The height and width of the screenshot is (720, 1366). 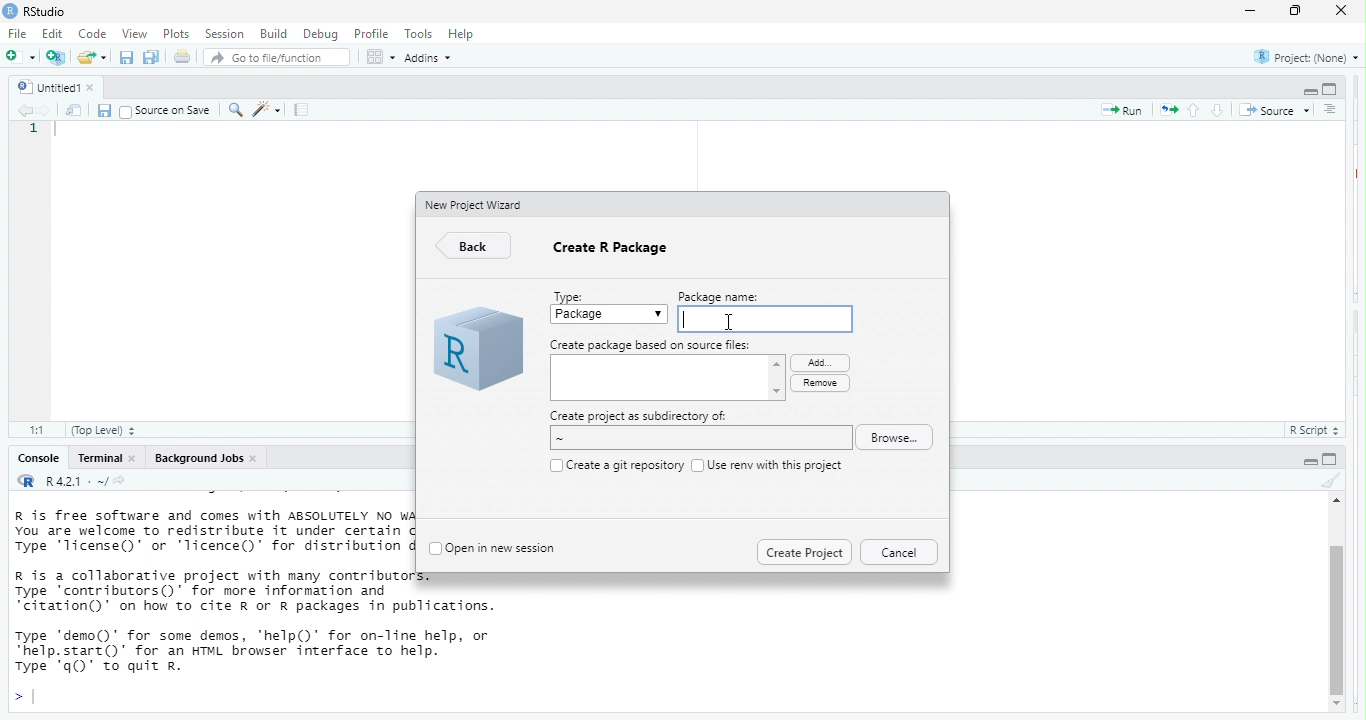 What do you see at coordinates (731, 295) in the screenshot?
I see `Package name:` at bounding box center [731, 295].